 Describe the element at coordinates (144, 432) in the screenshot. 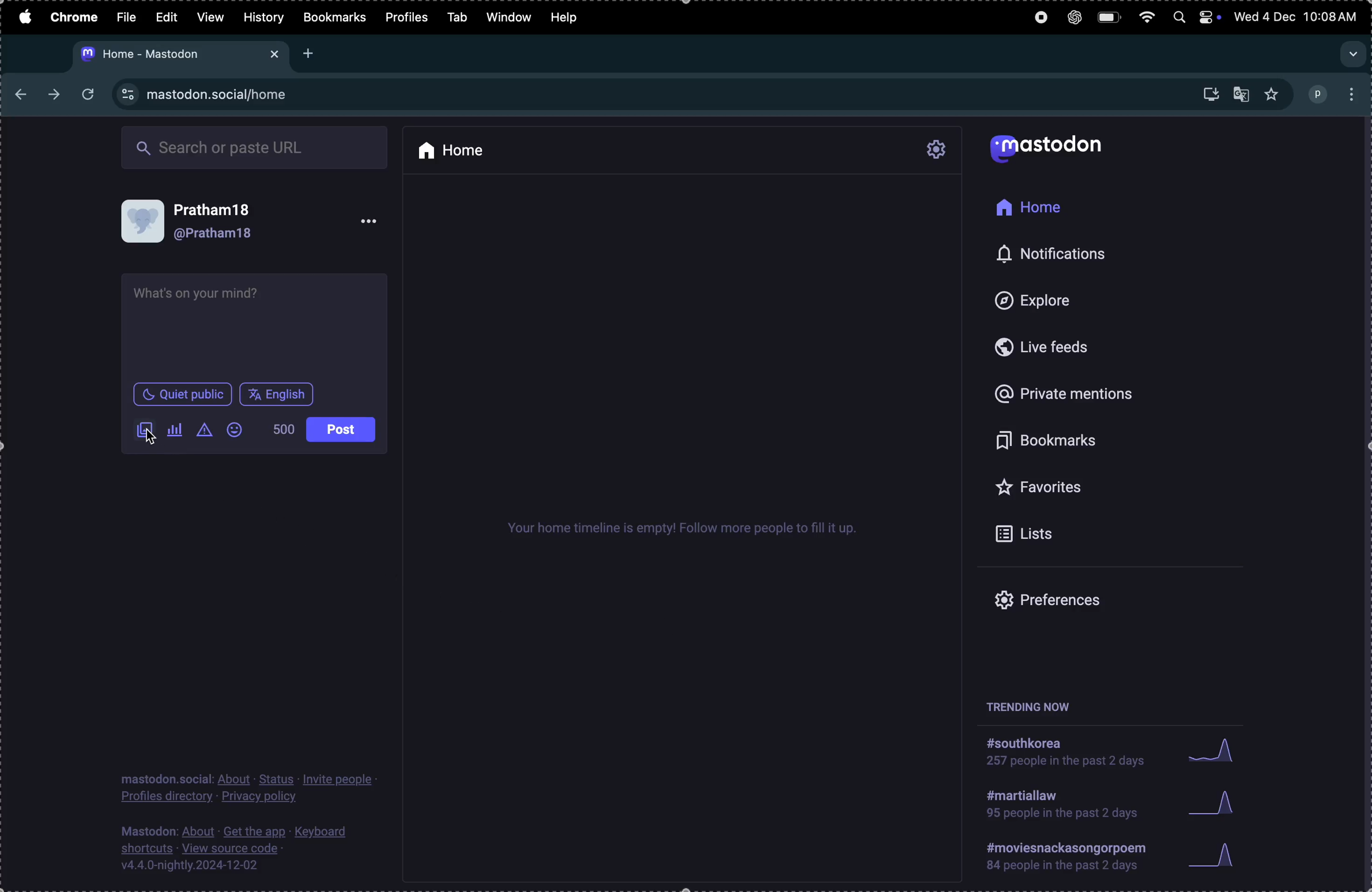

I see `Images` at that location.